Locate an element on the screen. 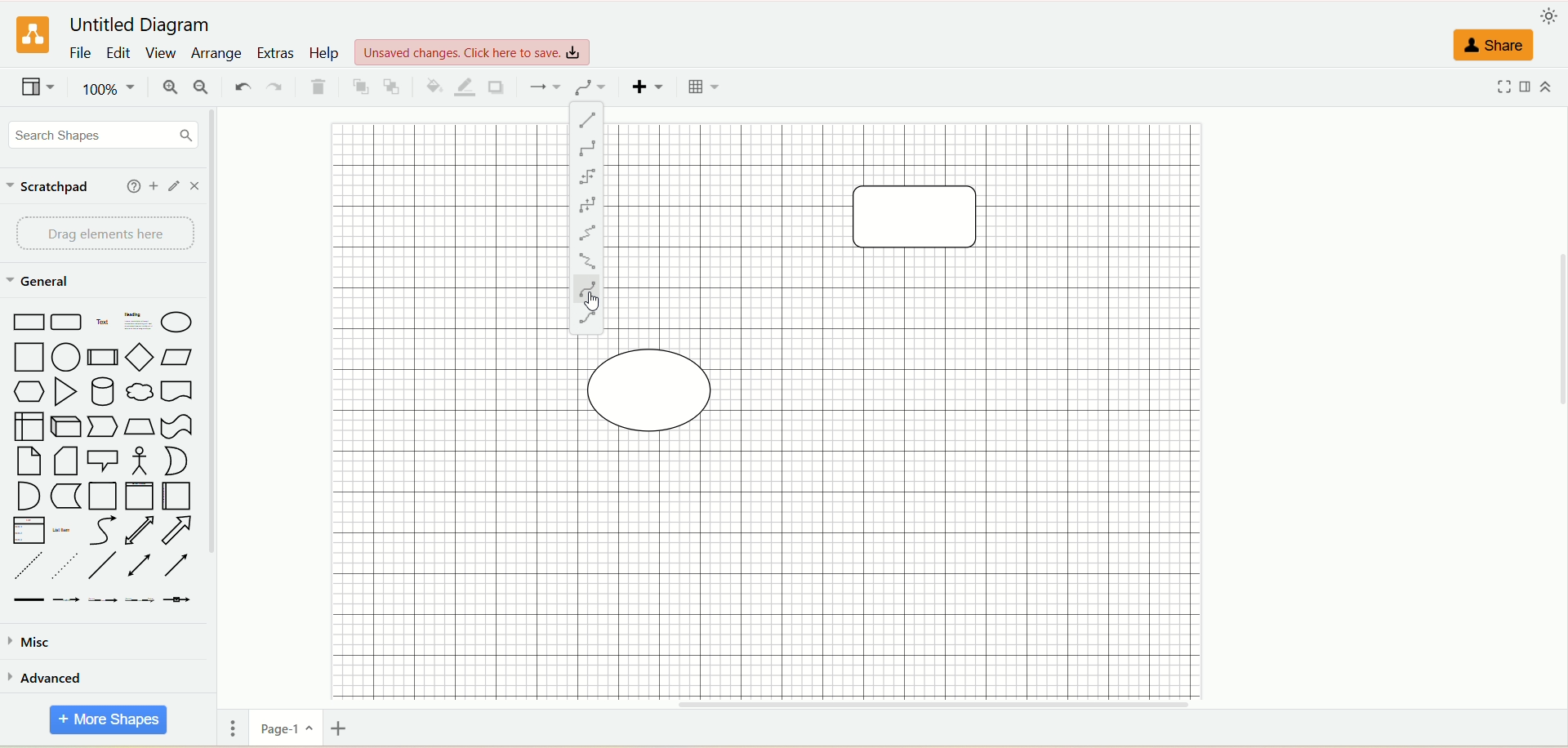 The image size is (1568, 748). shapes is located at coordinates (100, 456).